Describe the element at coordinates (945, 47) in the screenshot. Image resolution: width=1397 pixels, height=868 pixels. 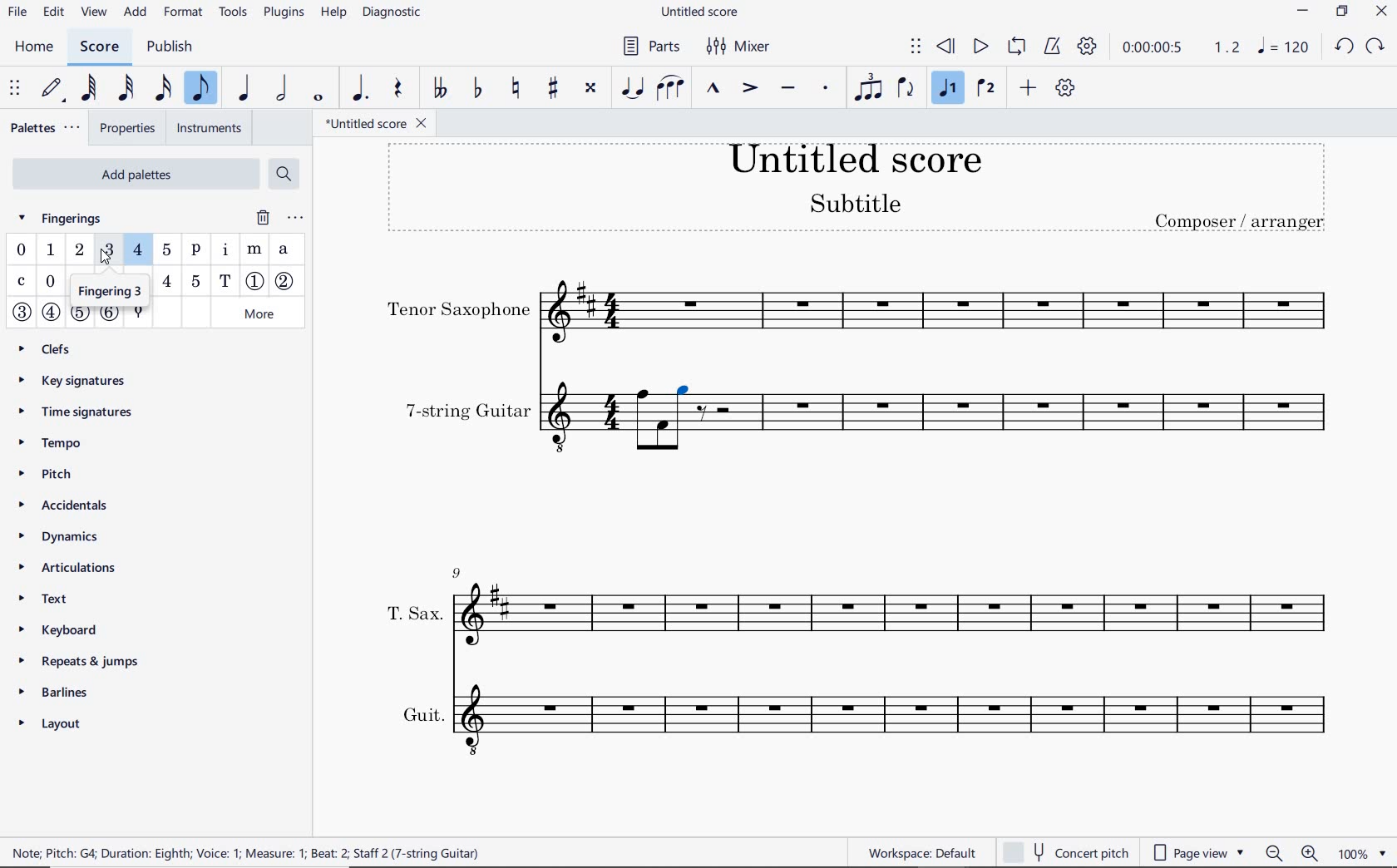
I see `REWIND` at that location.